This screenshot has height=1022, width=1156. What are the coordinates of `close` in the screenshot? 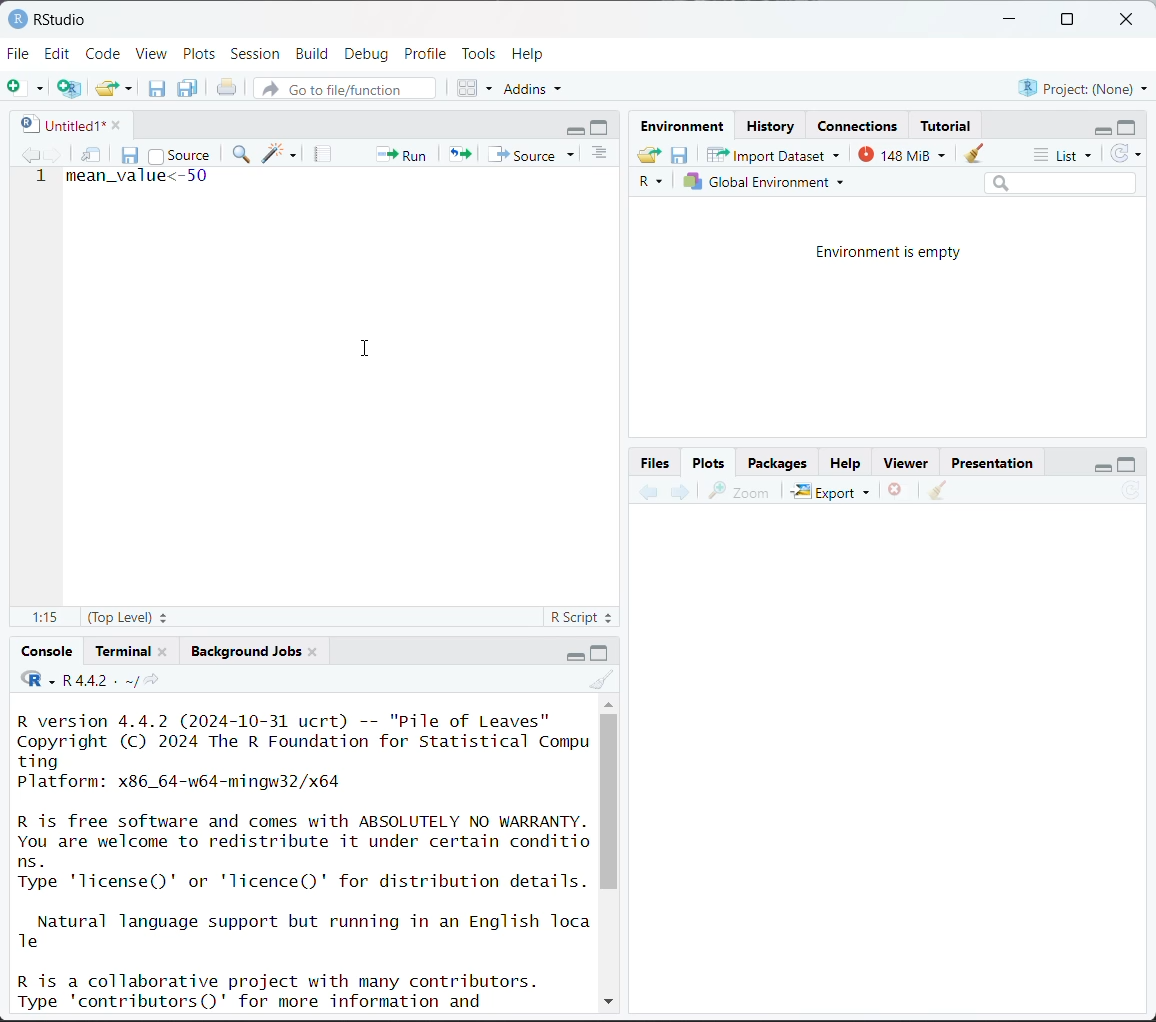 It's located at (163, 650).